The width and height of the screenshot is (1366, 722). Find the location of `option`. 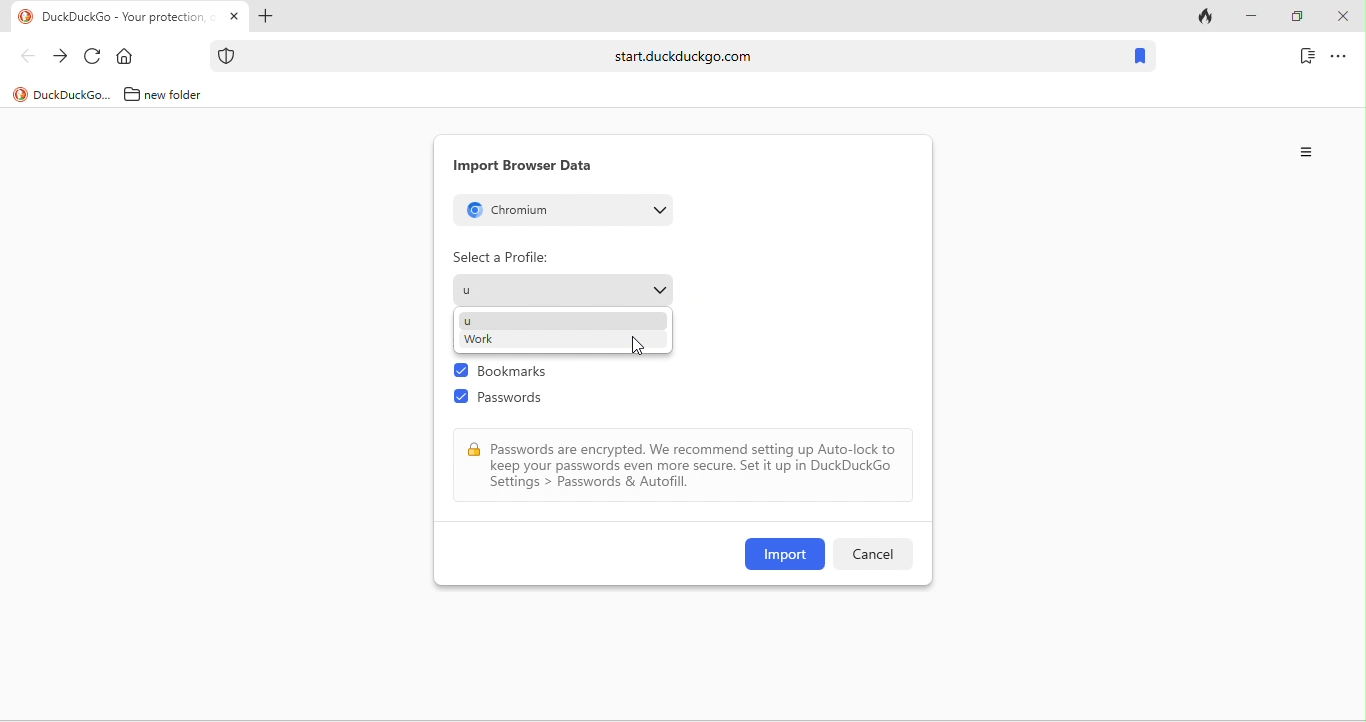

option is located at coordinates (1339, 55).